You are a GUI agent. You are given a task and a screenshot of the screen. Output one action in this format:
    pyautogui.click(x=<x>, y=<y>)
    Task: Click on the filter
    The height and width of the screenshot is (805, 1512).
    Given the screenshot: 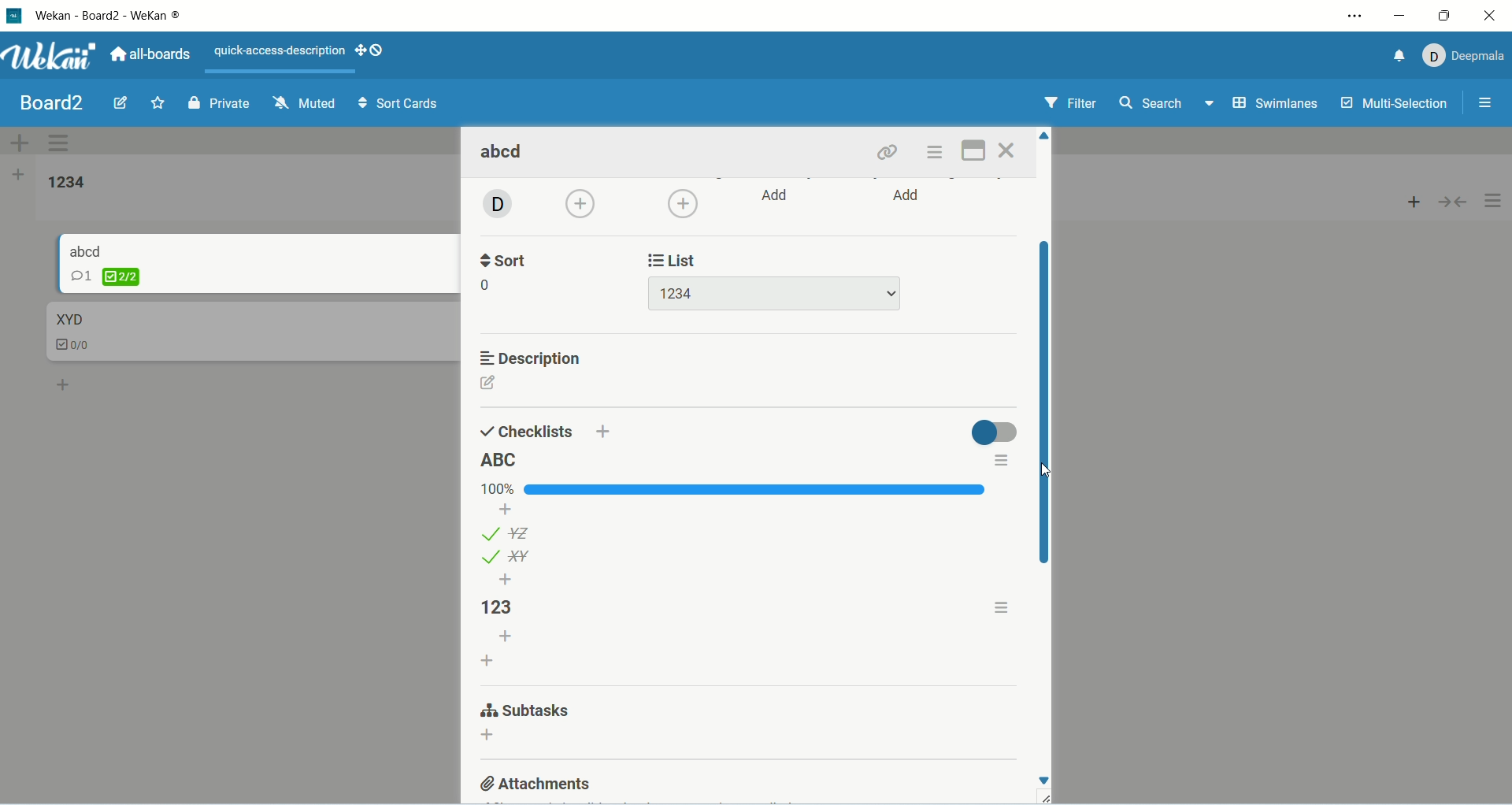 What is the action you would take?
    pyautogui.click(x=1070, y=103)
    